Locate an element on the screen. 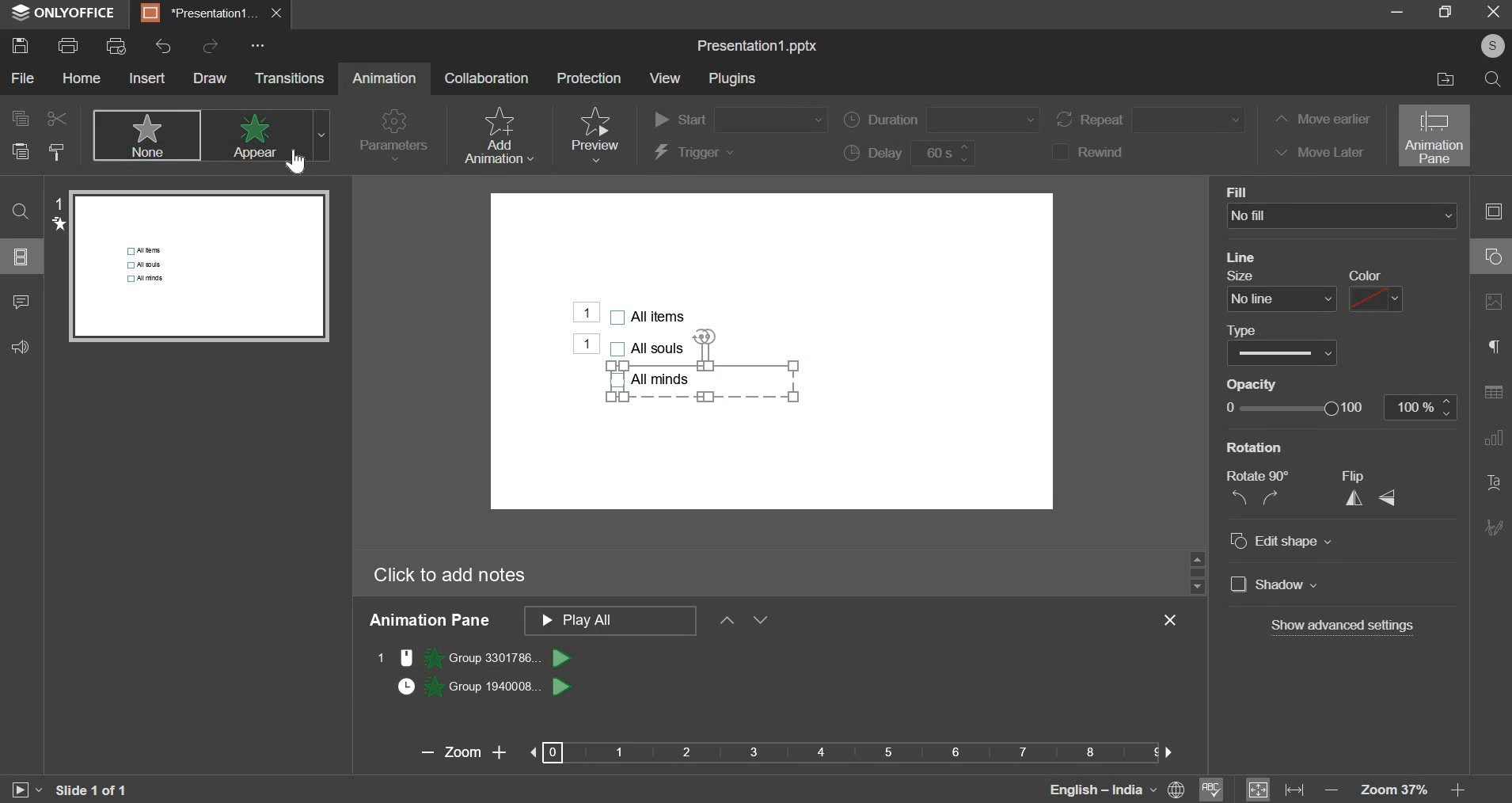  animation pane order is located at coordinates (610, 620).